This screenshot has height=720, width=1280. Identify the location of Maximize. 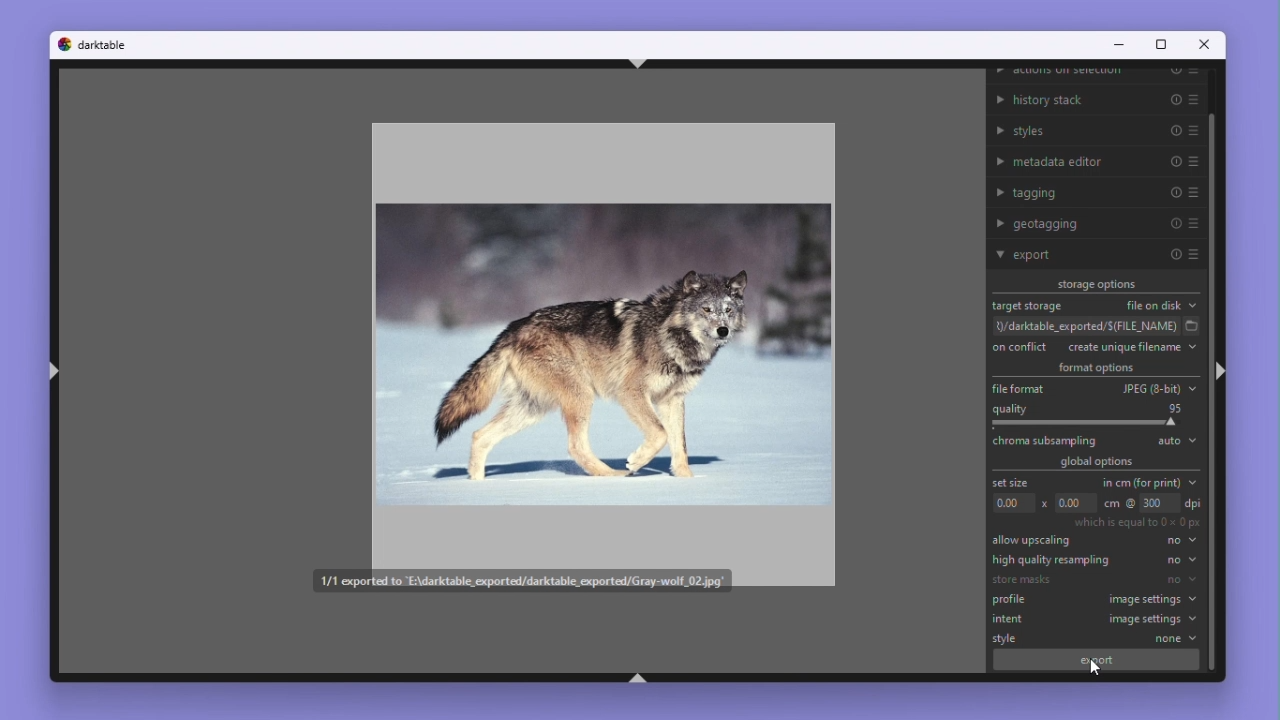
(1162, 44).